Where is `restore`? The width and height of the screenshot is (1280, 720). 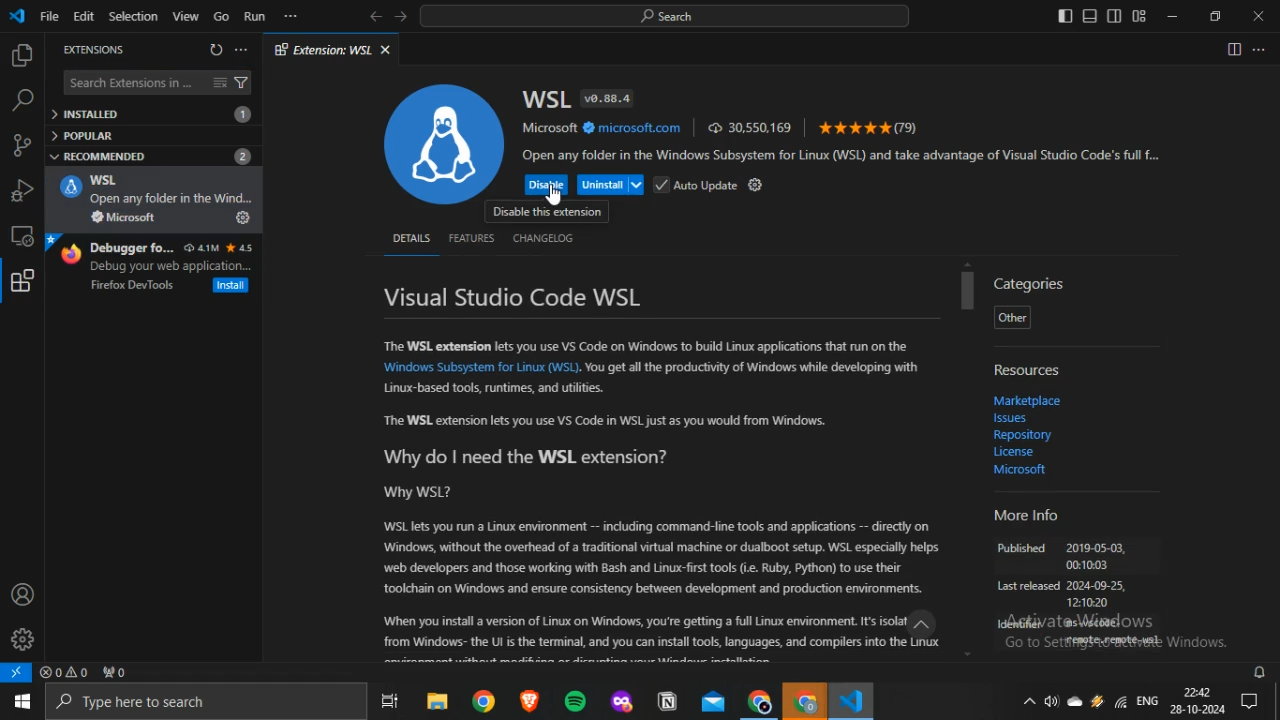 restore is located at coordinates (1215, 15).